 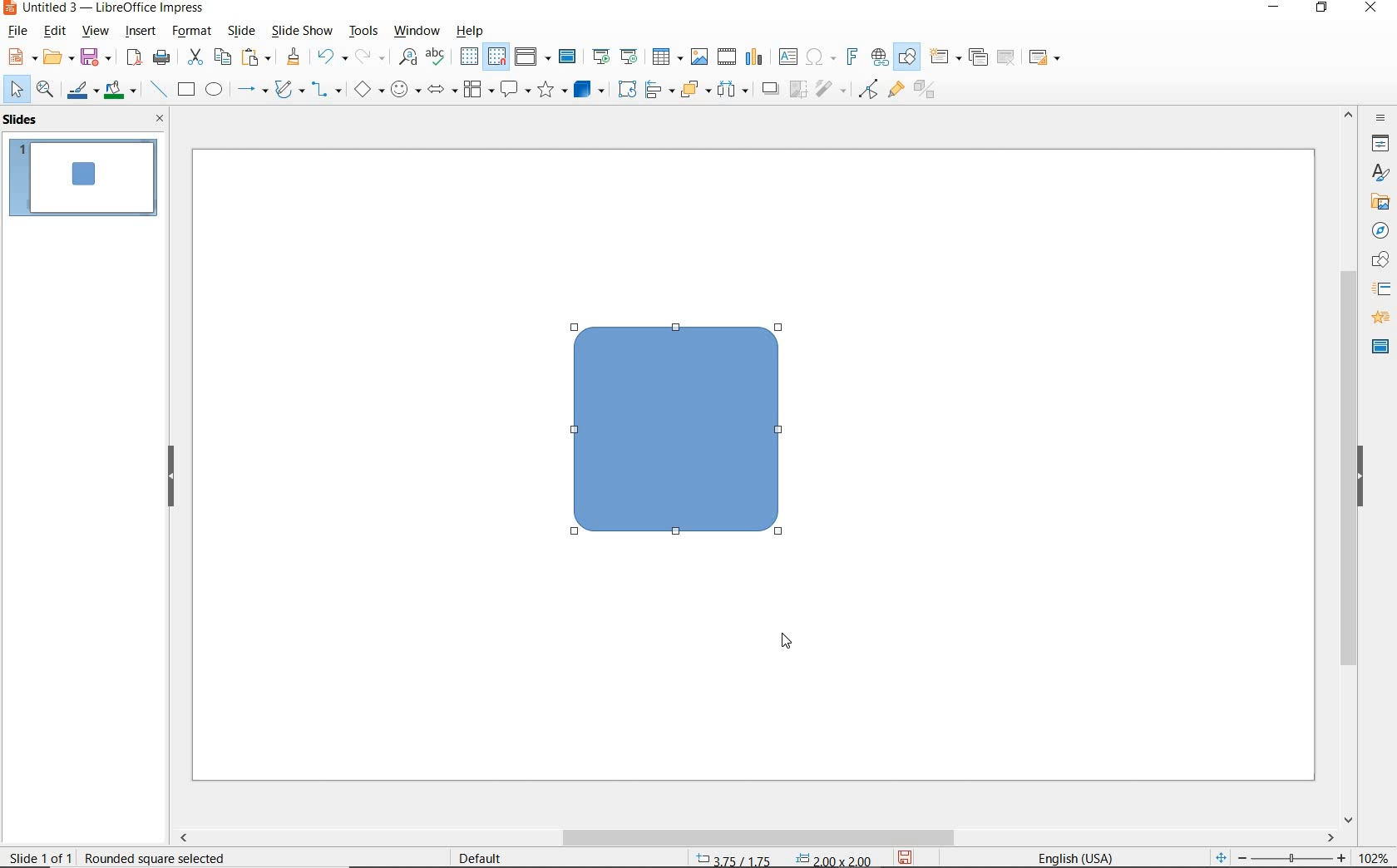 What do you see at coordinates (1380, 201) in the screenshot?
I see `gallery` at bounding box center [1380, 201].